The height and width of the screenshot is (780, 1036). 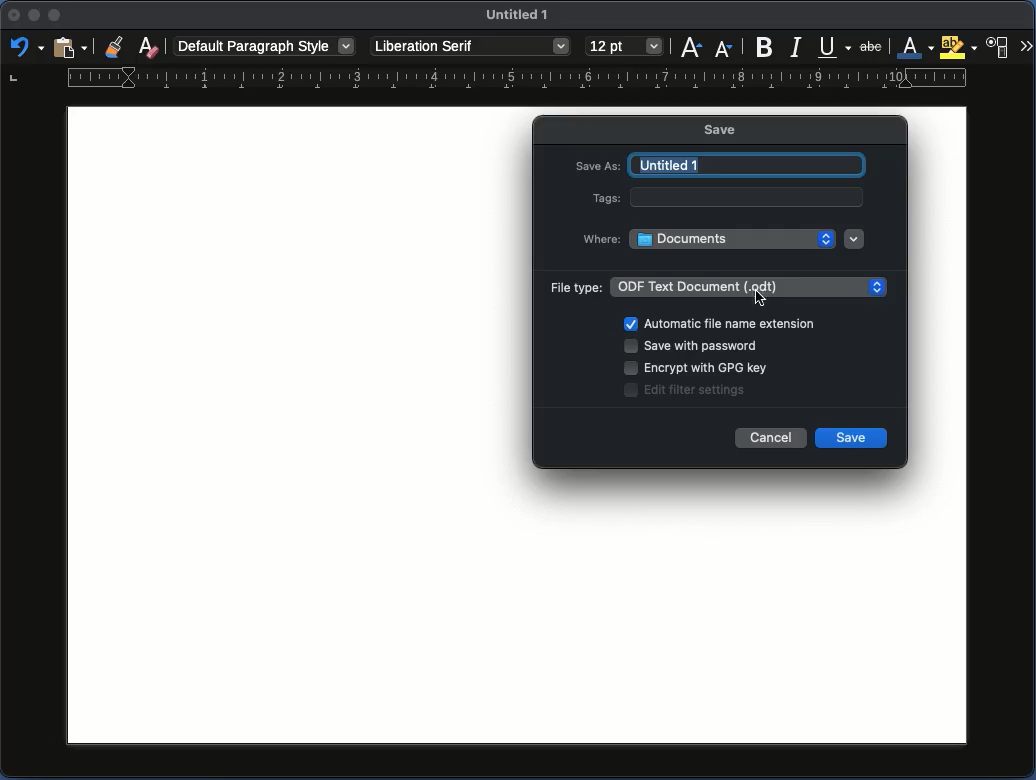 I want to click on Font color, so click(x=916, y=48).